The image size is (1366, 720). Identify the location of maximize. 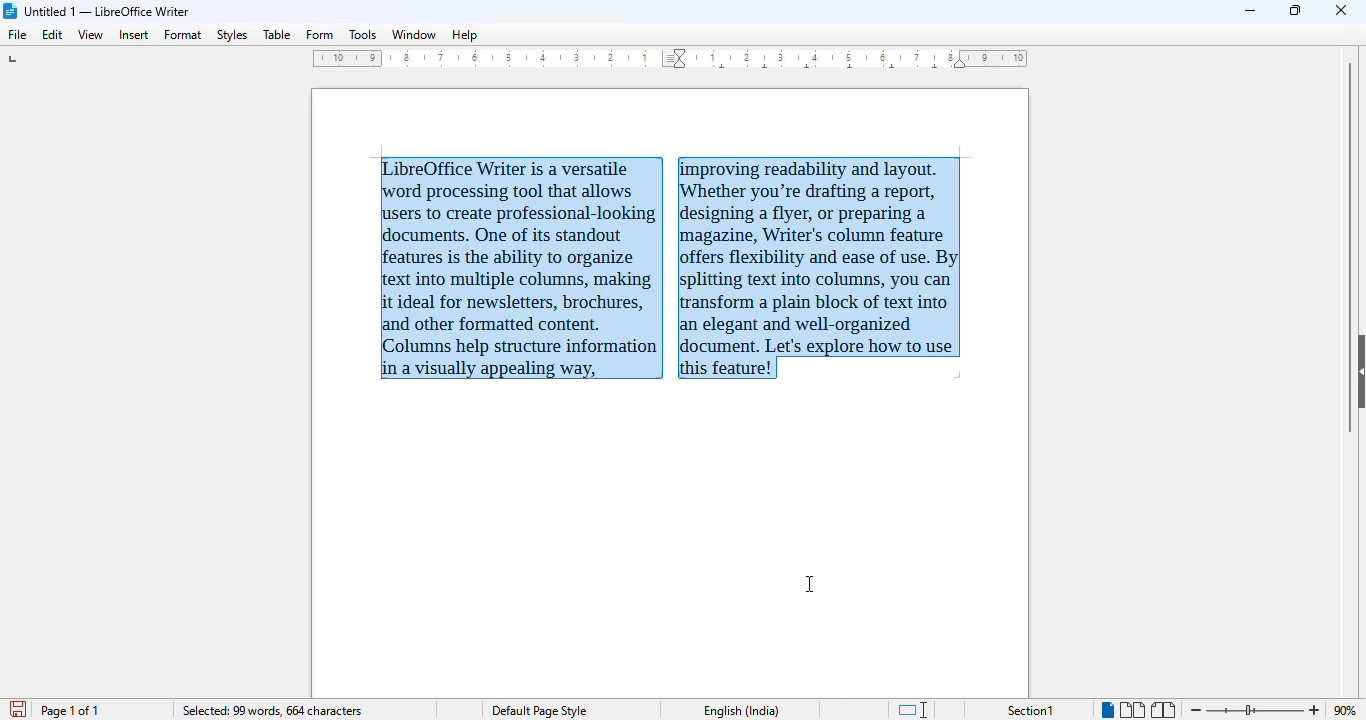
(1297, 10).